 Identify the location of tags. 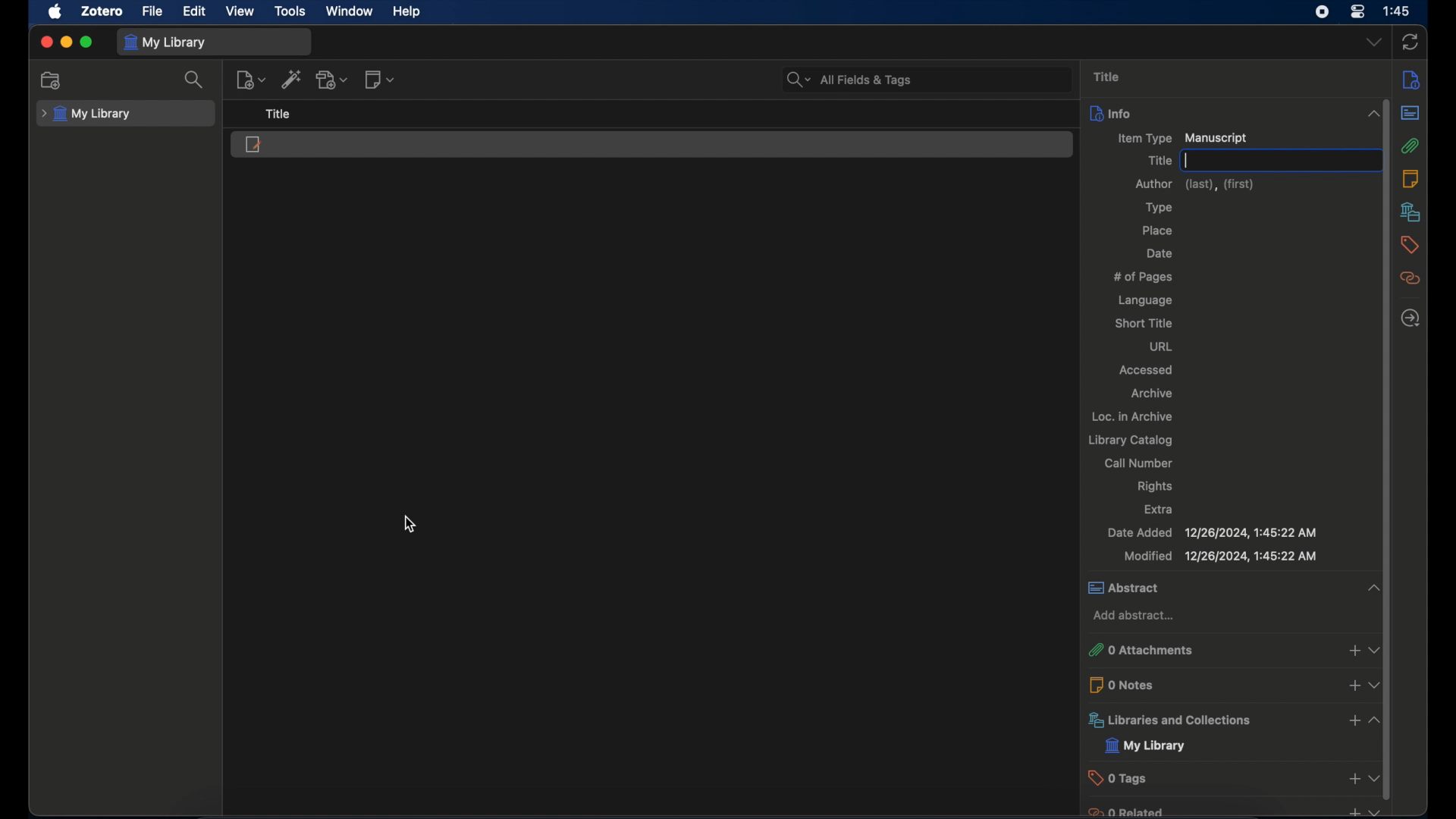
(1410, 245).